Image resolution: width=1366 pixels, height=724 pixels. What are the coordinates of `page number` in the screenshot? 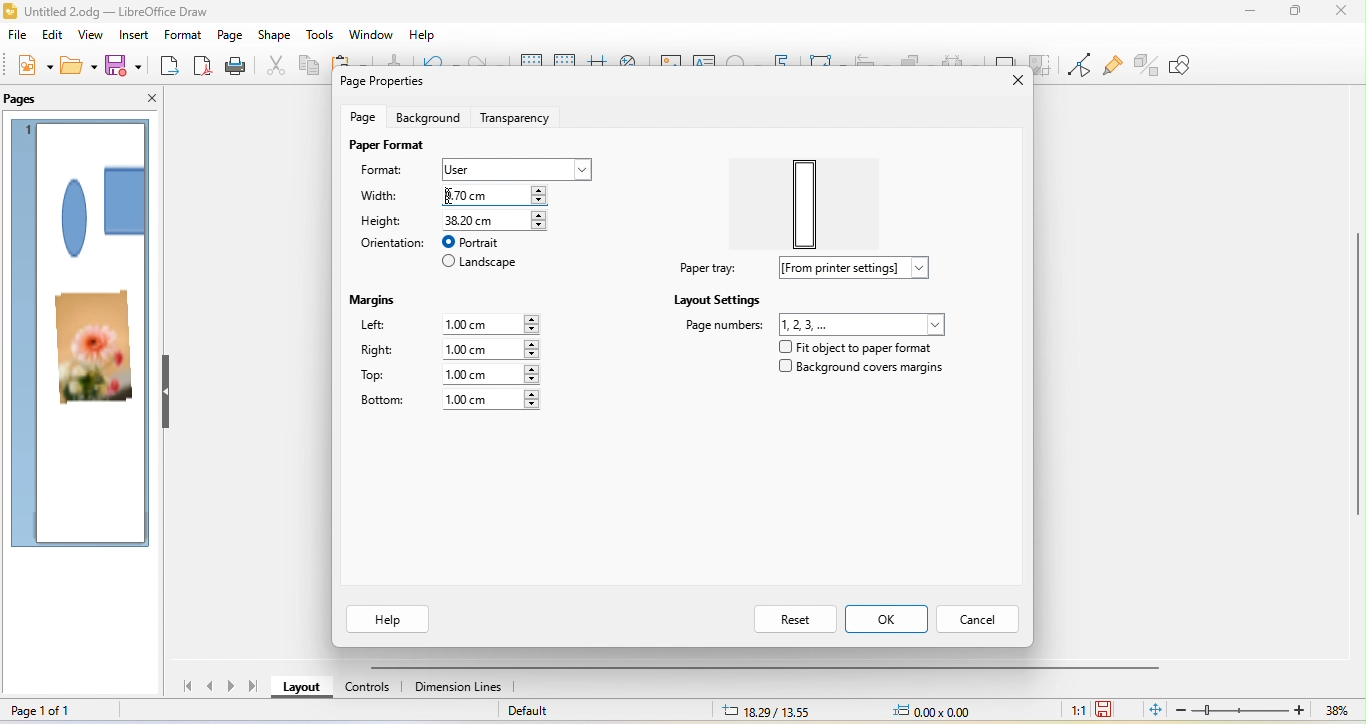 It's located at (815, 323).